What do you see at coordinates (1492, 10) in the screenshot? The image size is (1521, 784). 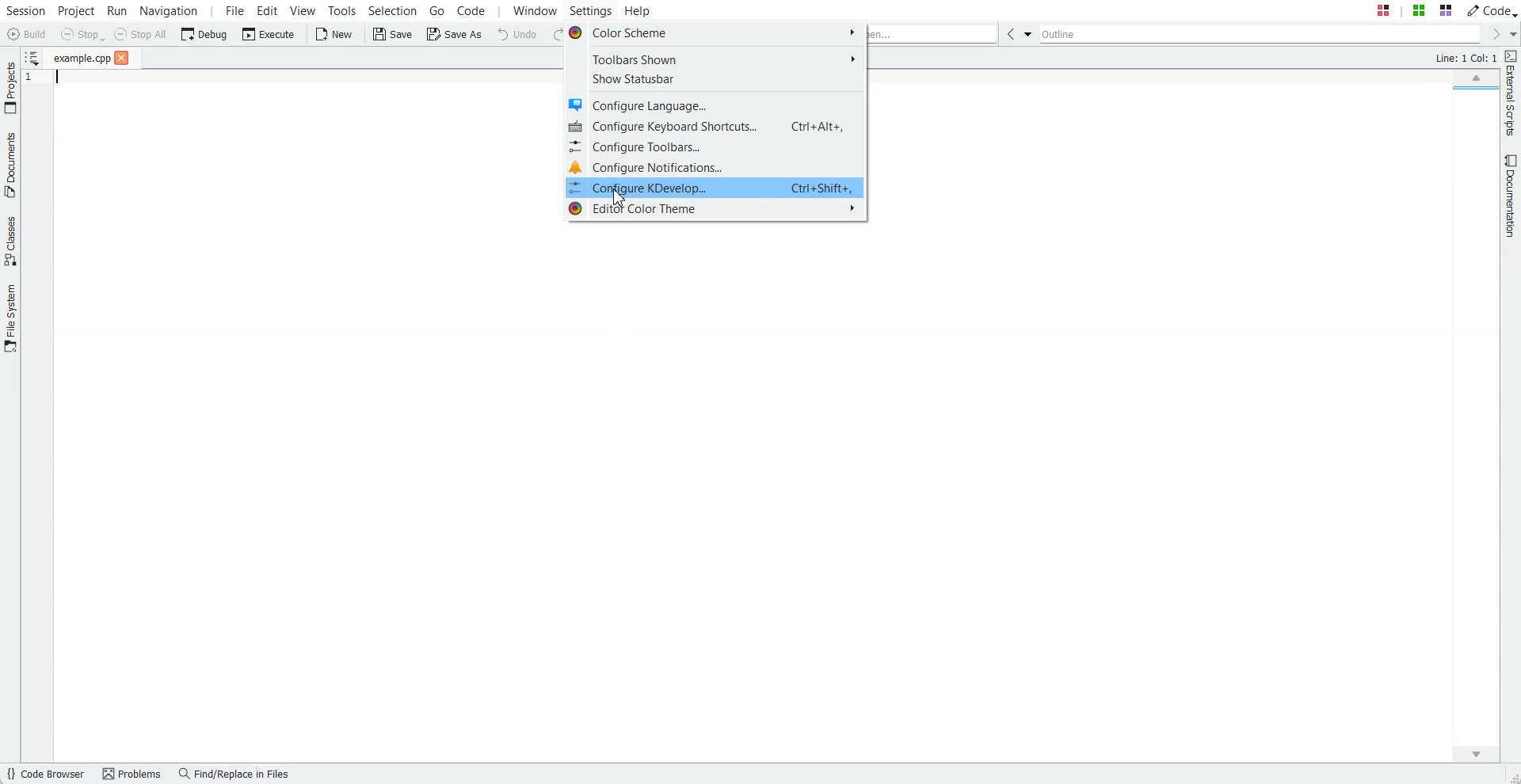 I see `Code` at bounding box center [1492, 10].